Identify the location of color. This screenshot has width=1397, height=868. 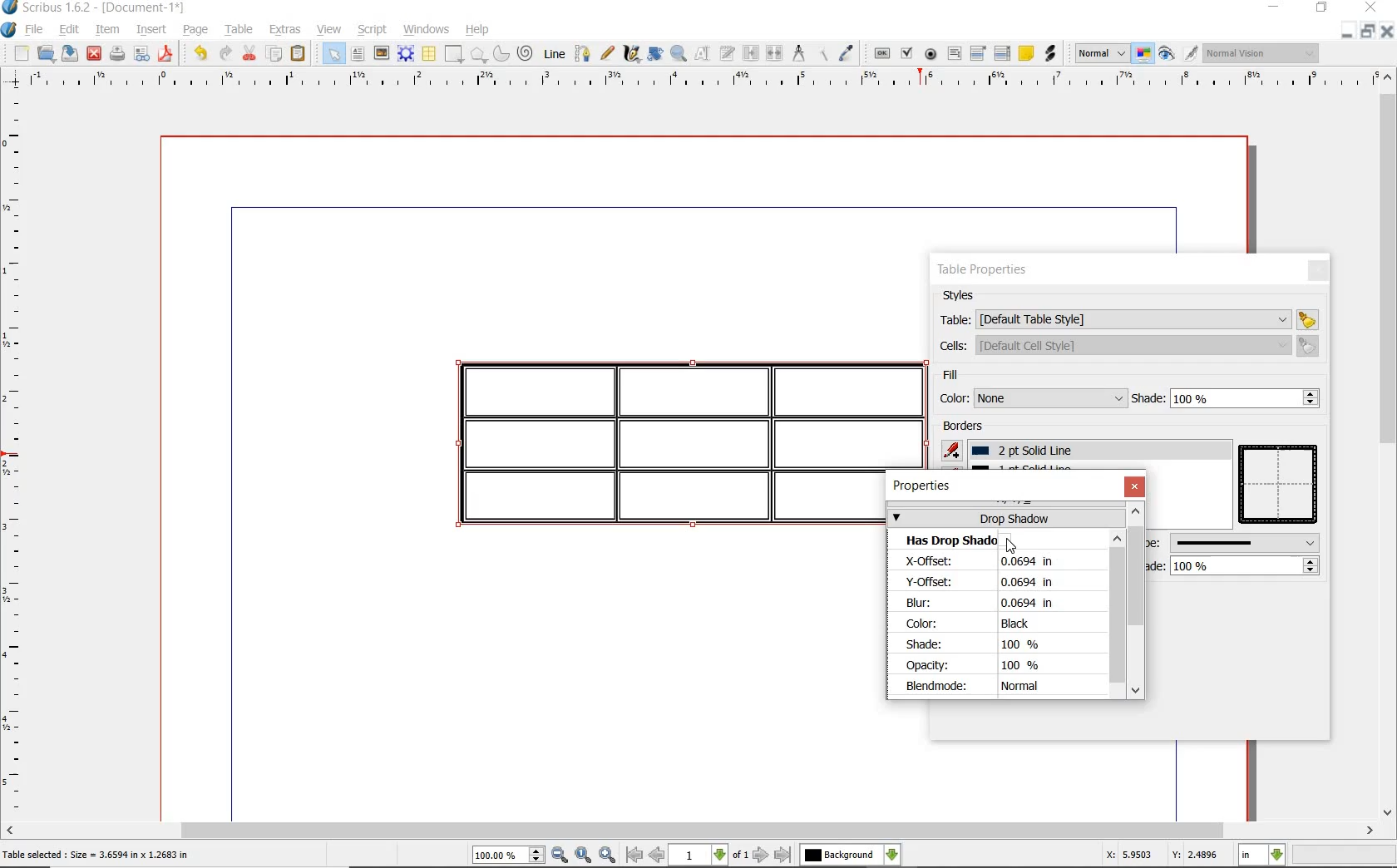
(1030, 398).